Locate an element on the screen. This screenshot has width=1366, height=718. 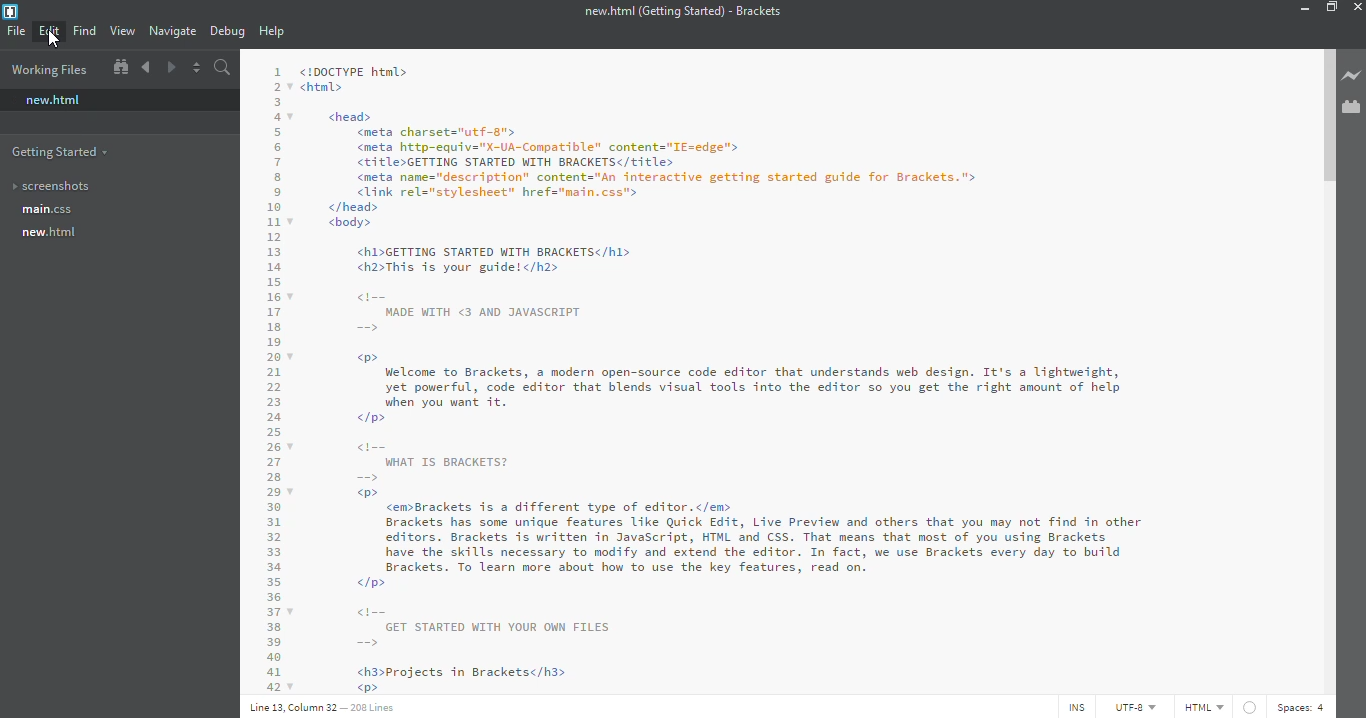
code line is located at coordinates (274, 374).